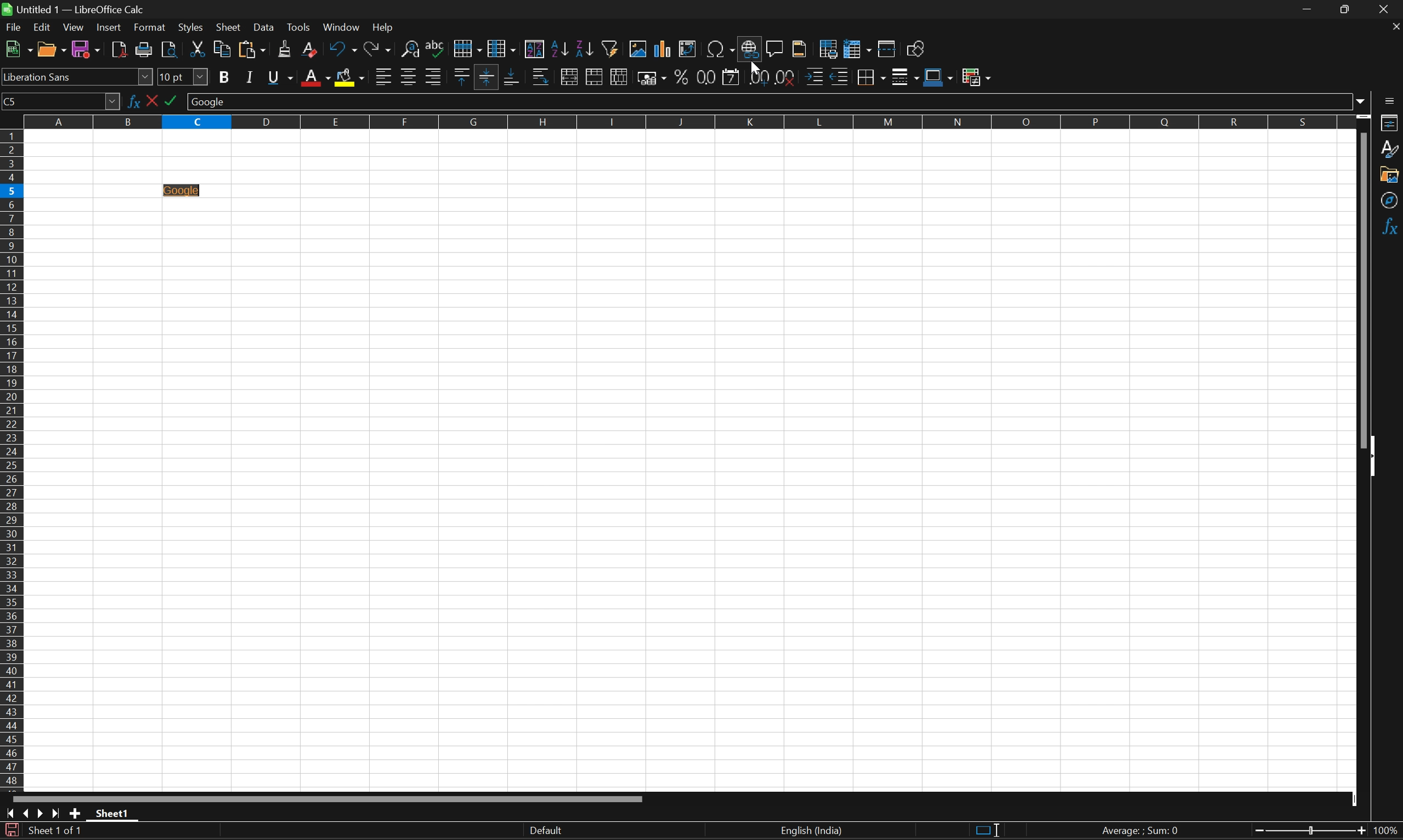 This screenshot has width=1403, height=840. I want to click on Split window, so click(886, 49).